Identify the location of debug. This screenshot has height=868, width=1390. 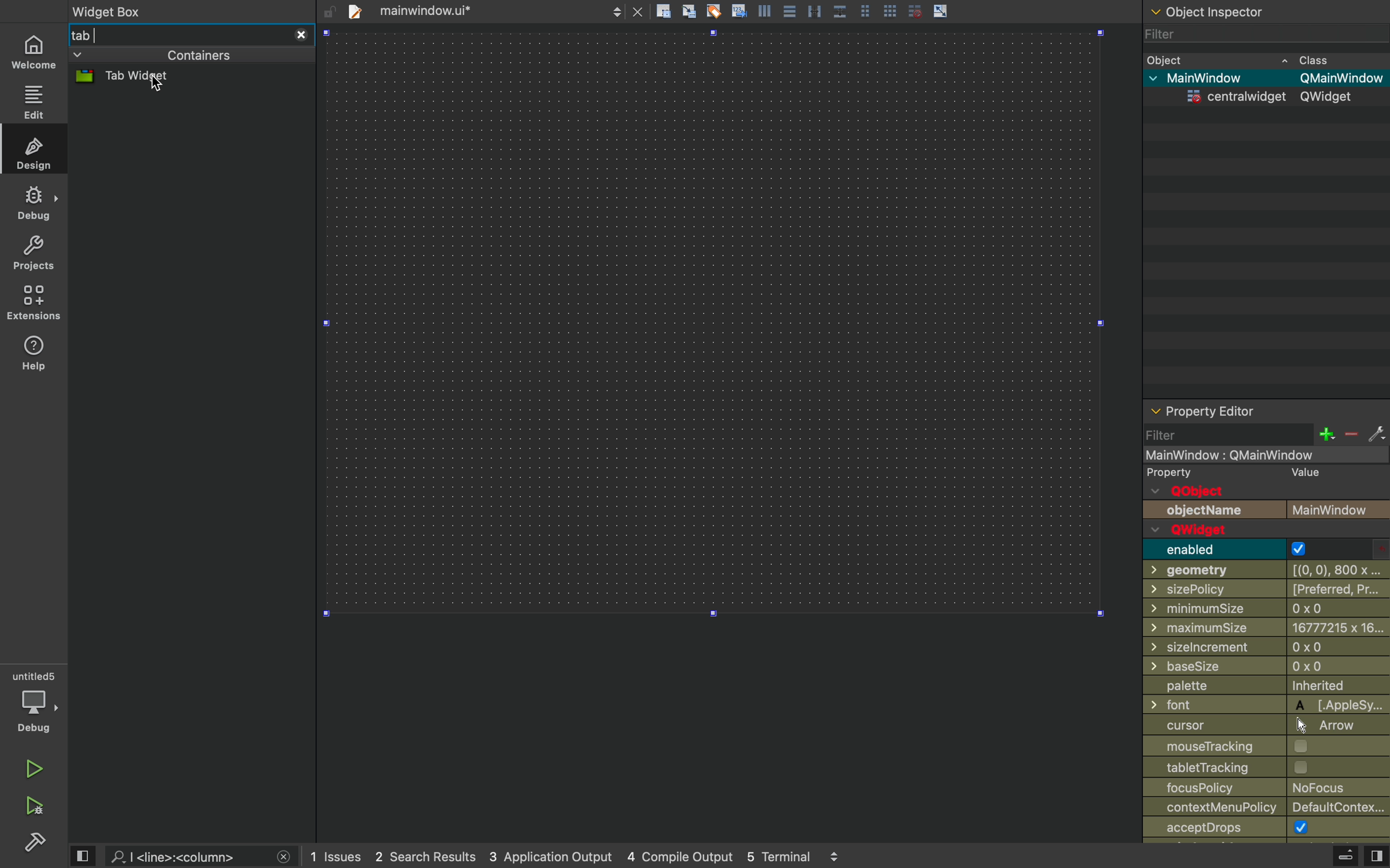
(33, 204).